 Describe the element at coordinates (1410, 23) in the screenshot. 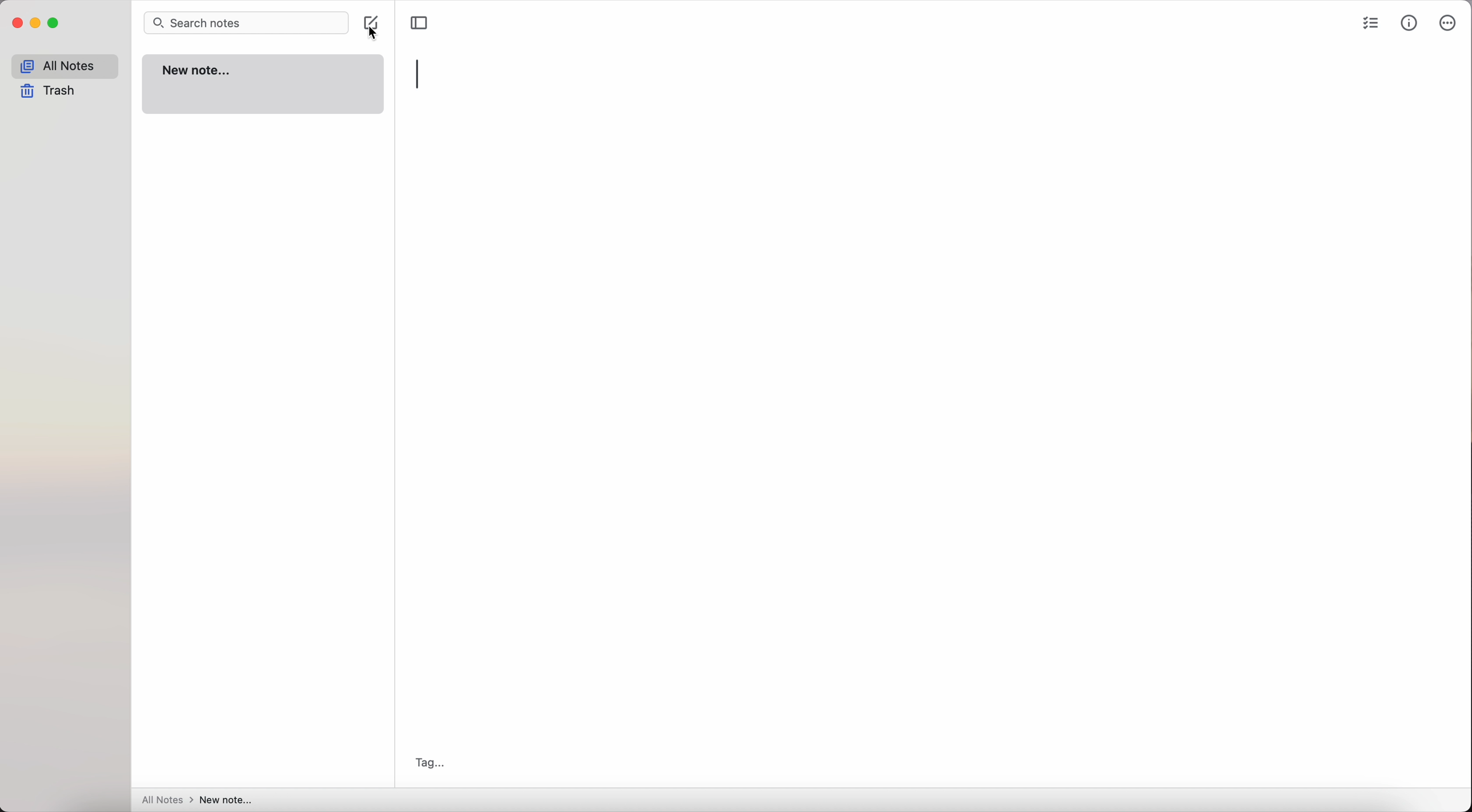

I see `metrics` at that location.